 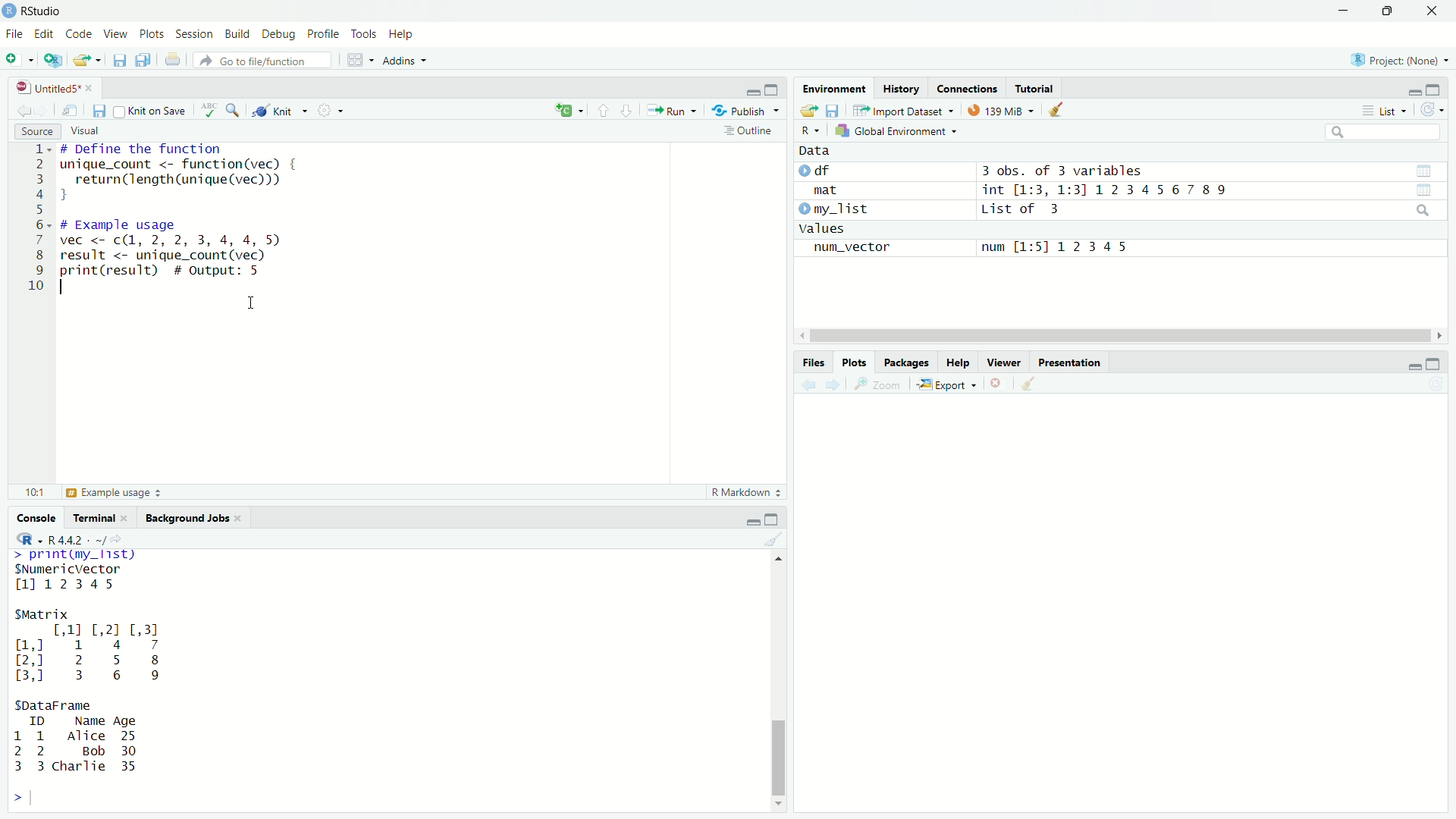 I want to click on cursor, so click(x=249, y=303).